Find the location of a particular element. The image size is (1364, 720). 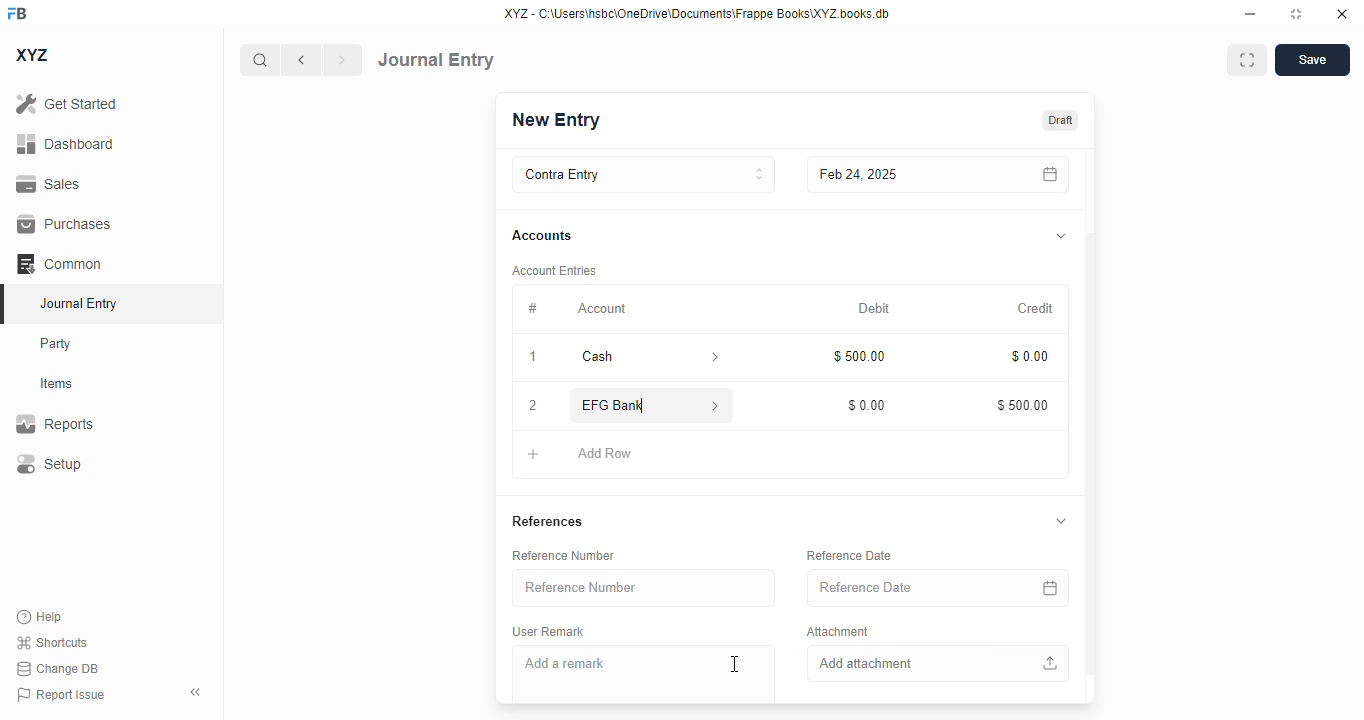

$500.00  is located at coordinates (858, 356).